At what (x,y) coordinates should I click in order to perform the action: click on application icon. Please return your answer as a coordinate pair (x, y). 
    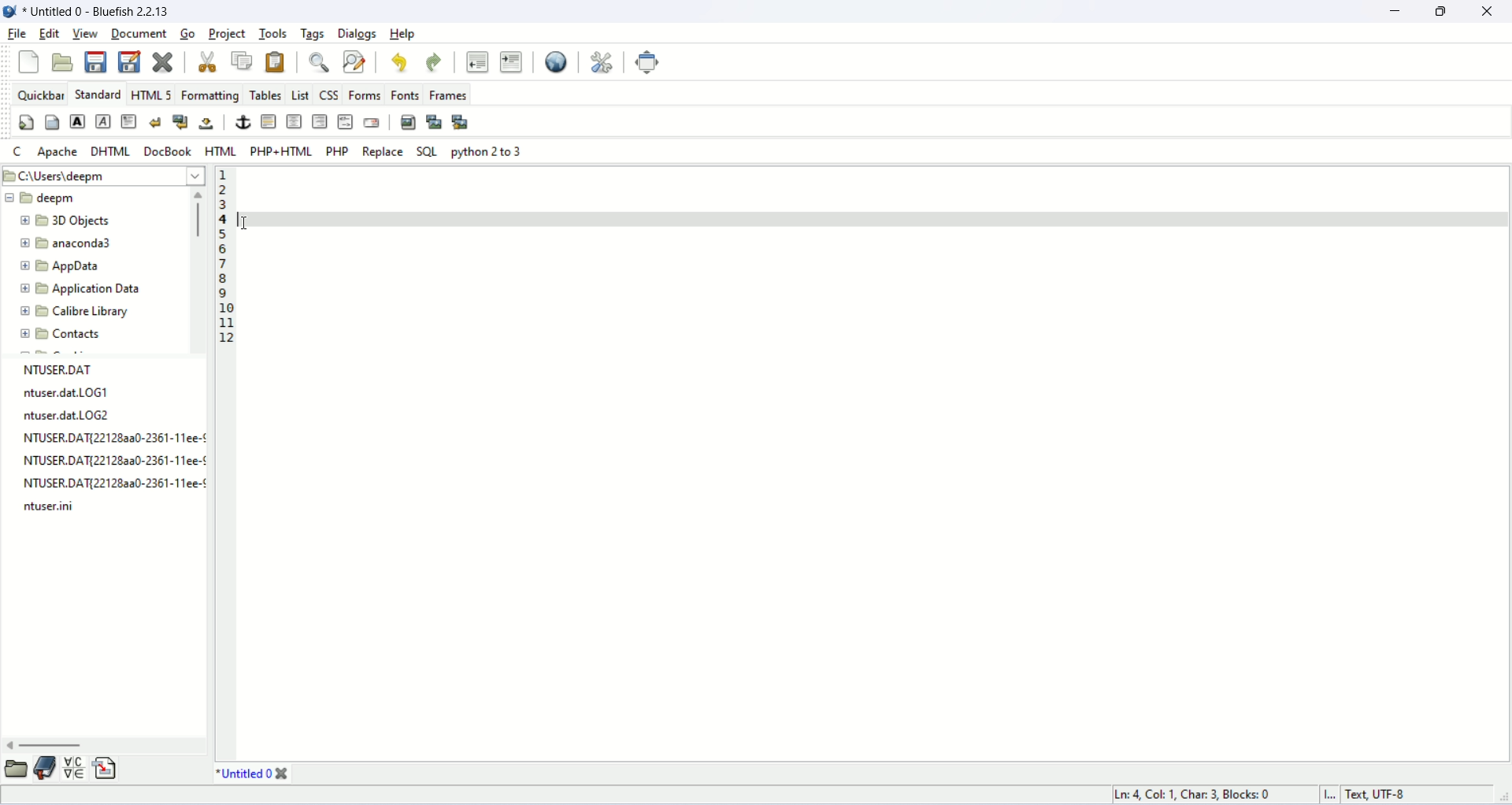
    Looking at the image, I should click on (10, 10).